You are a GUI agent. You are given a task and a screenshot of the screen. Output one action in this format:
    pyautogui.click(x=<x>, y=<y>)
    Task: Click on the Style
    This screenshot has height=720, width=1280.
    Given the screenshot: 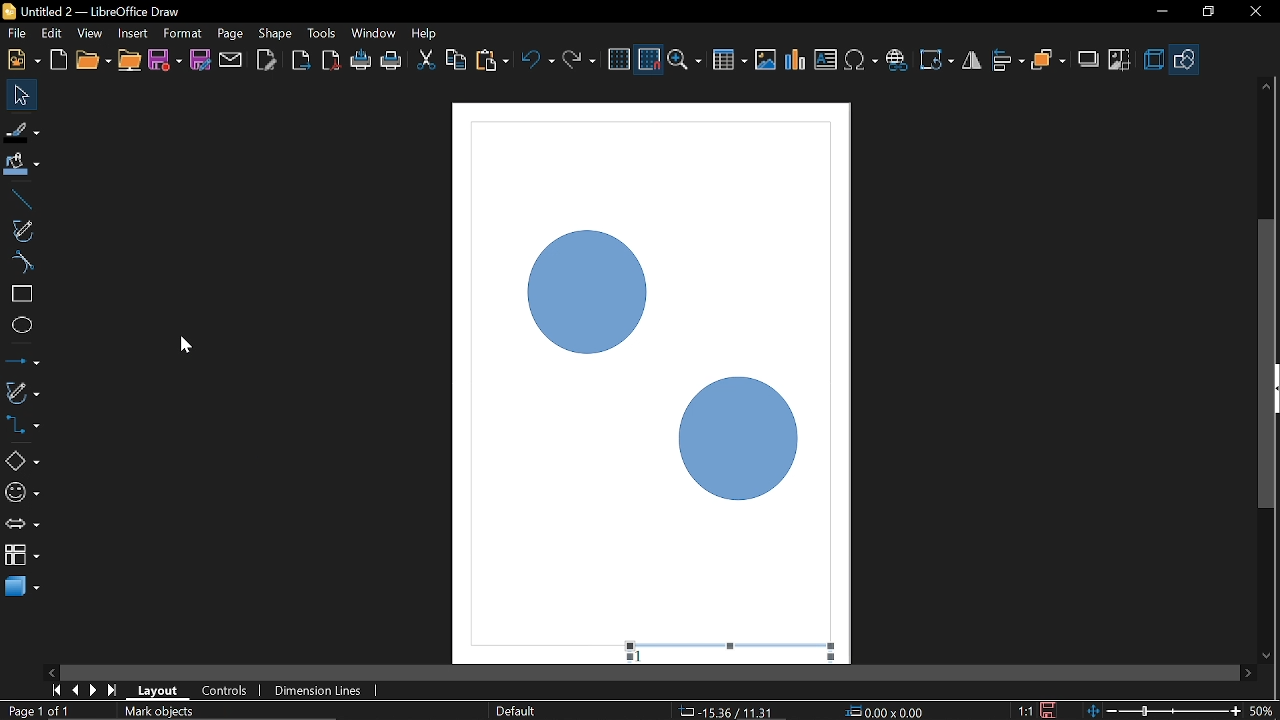 What is the action you would take?
    pyautogui.click(x=513, y=711)
    